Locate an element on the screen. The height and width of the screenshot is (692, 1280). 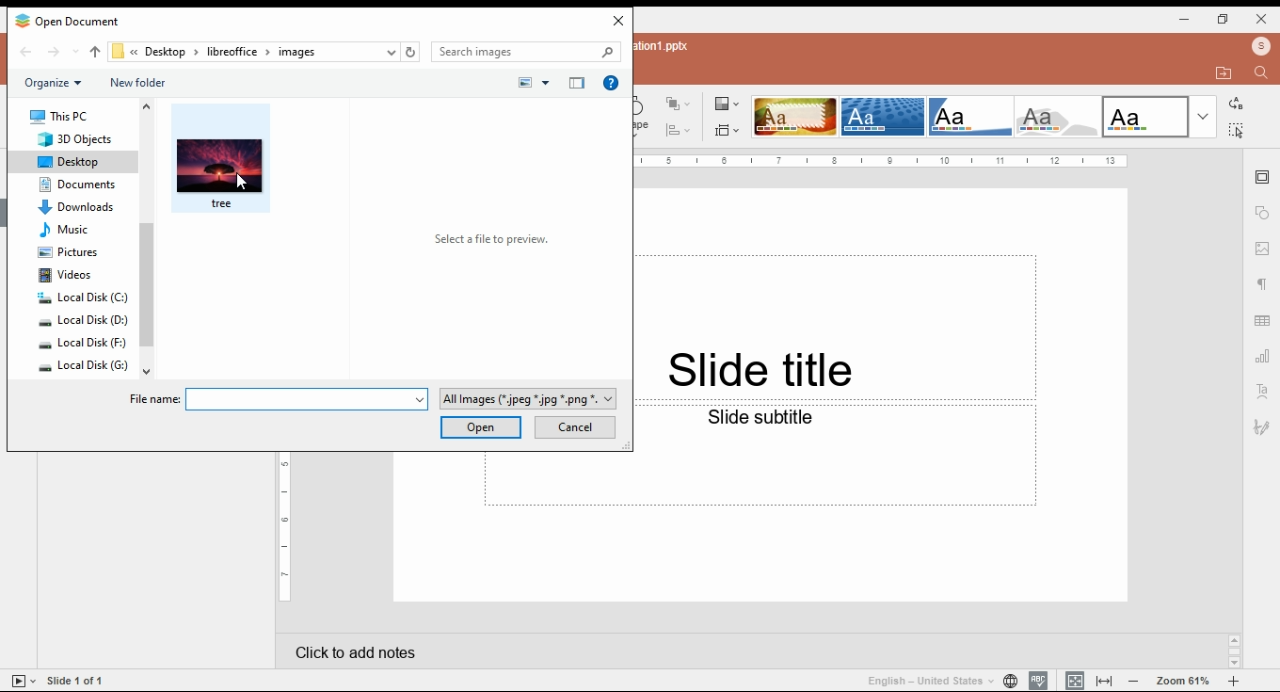
recent locations is located at coordinates (390, 53).